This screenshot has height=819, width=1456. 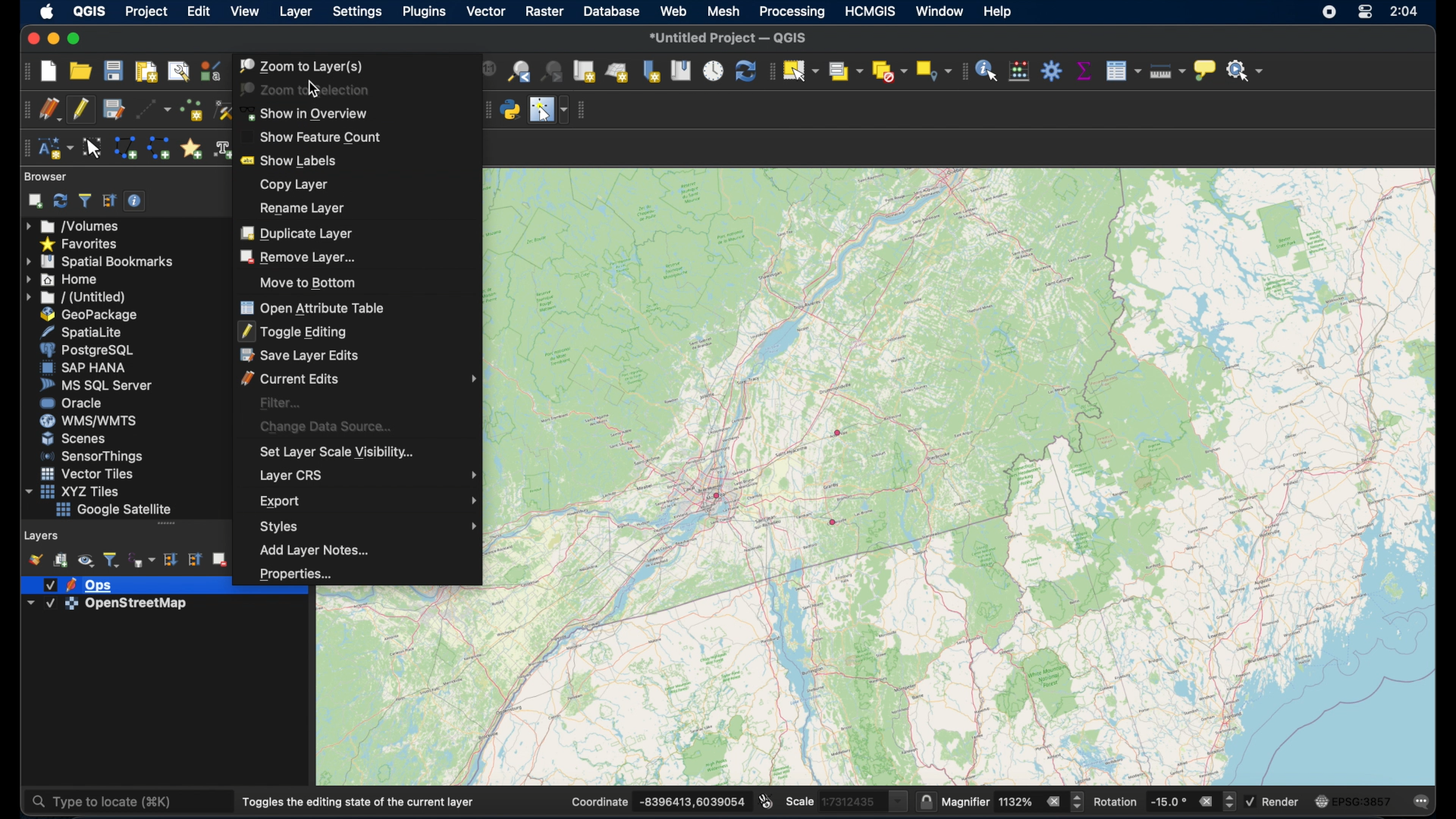 What do you see at coordinates (111, 559) in the screenshot?
I see `filter legend` at bounding box center [111, 559].